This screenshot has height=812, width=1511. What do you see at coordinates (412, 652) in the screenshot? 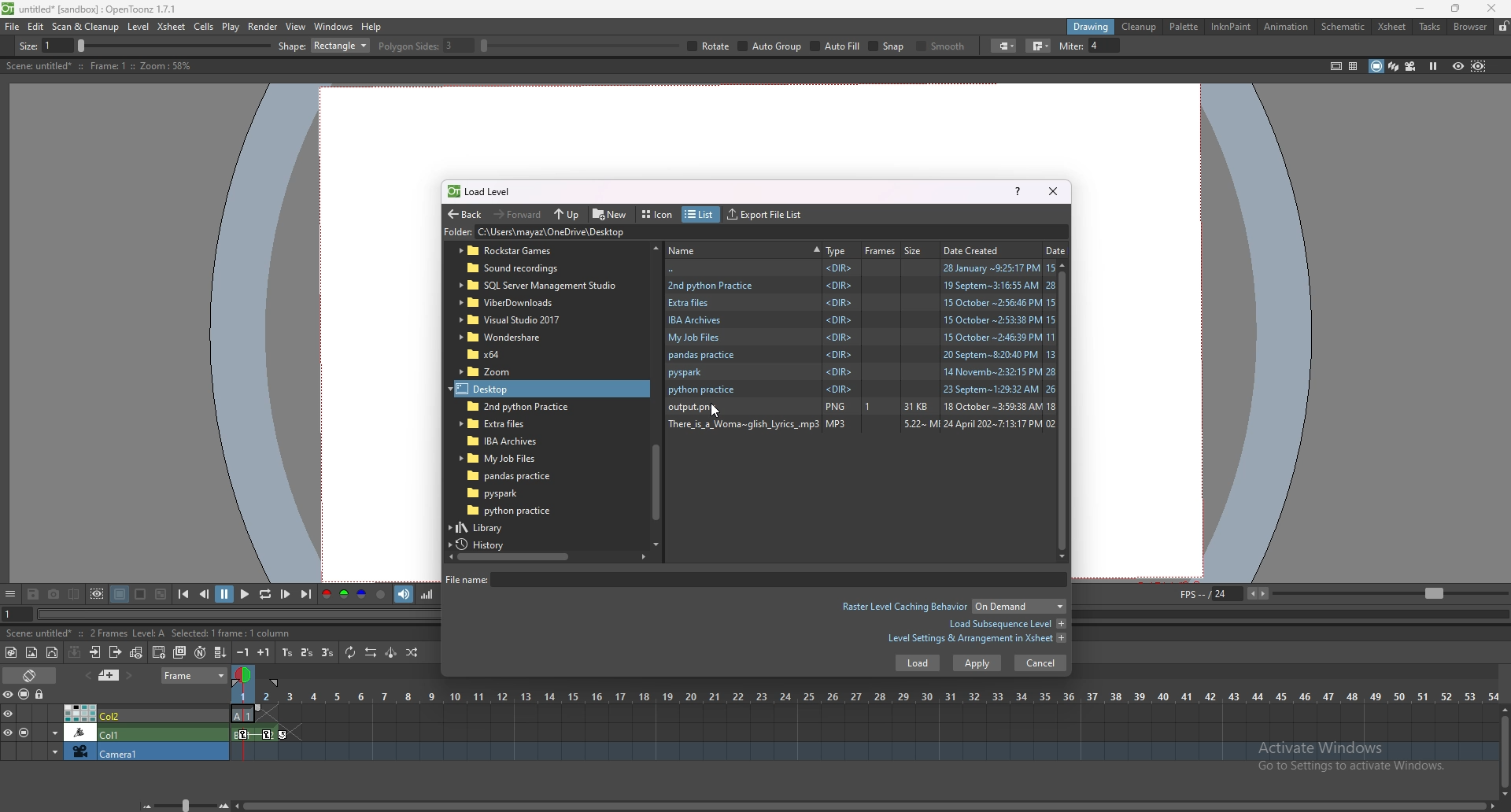
I see `random` at bounding box center [412, 652].